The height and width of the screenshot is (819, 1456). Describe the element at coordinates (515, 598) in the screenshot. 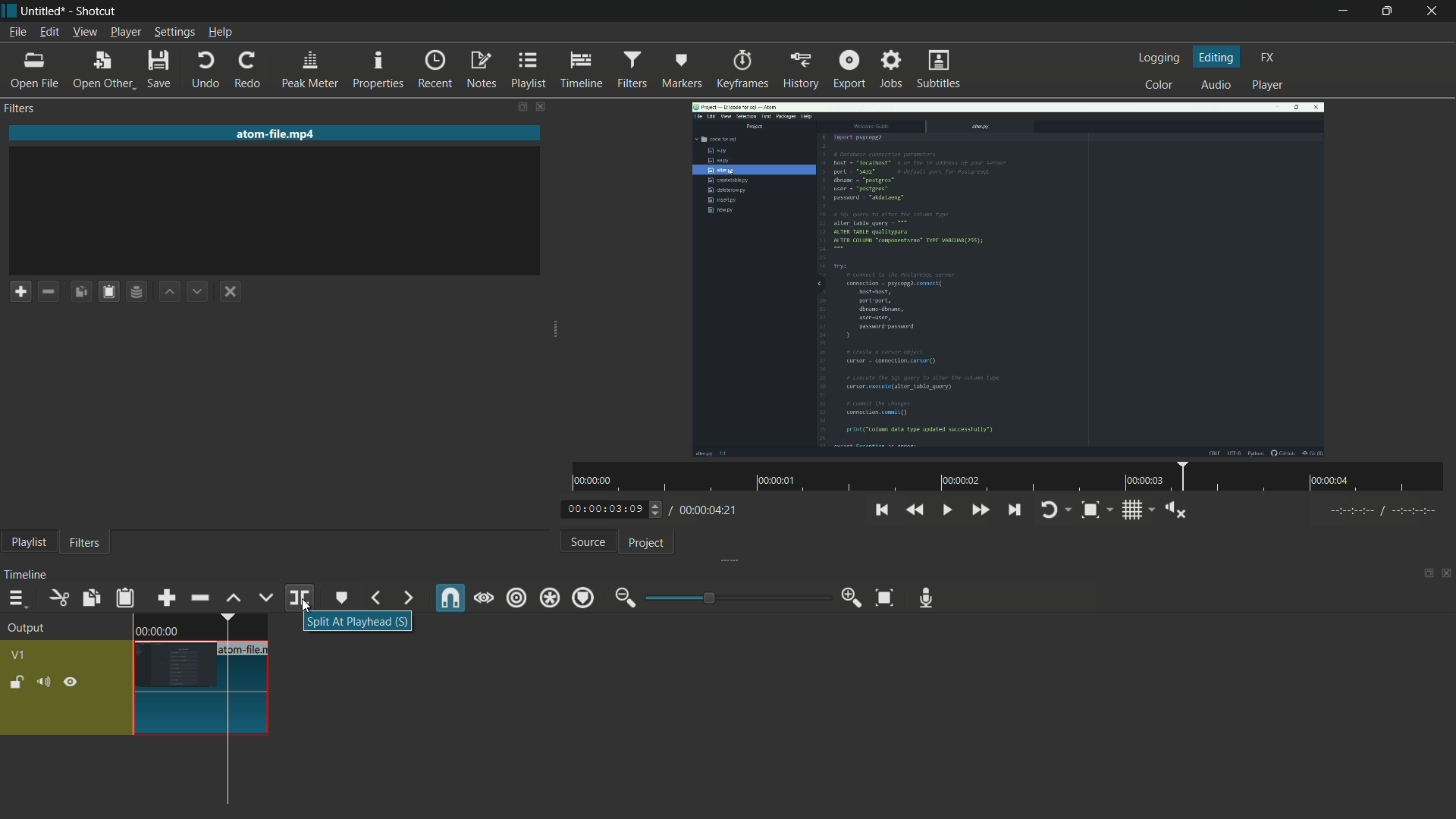

I see `ripple` at that location.